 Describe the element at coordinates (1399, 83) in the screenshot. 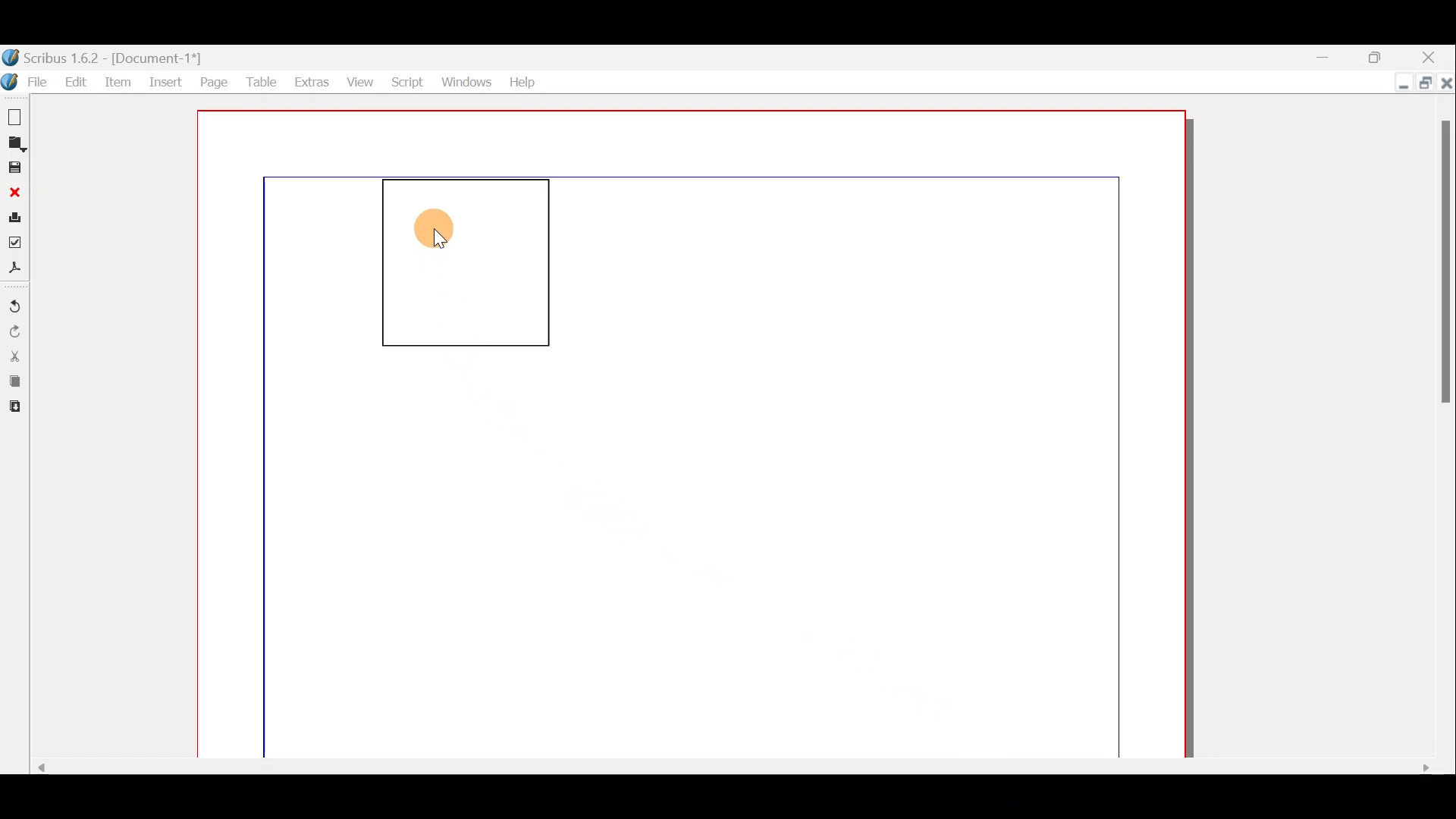

I see `Minimise` at that location.